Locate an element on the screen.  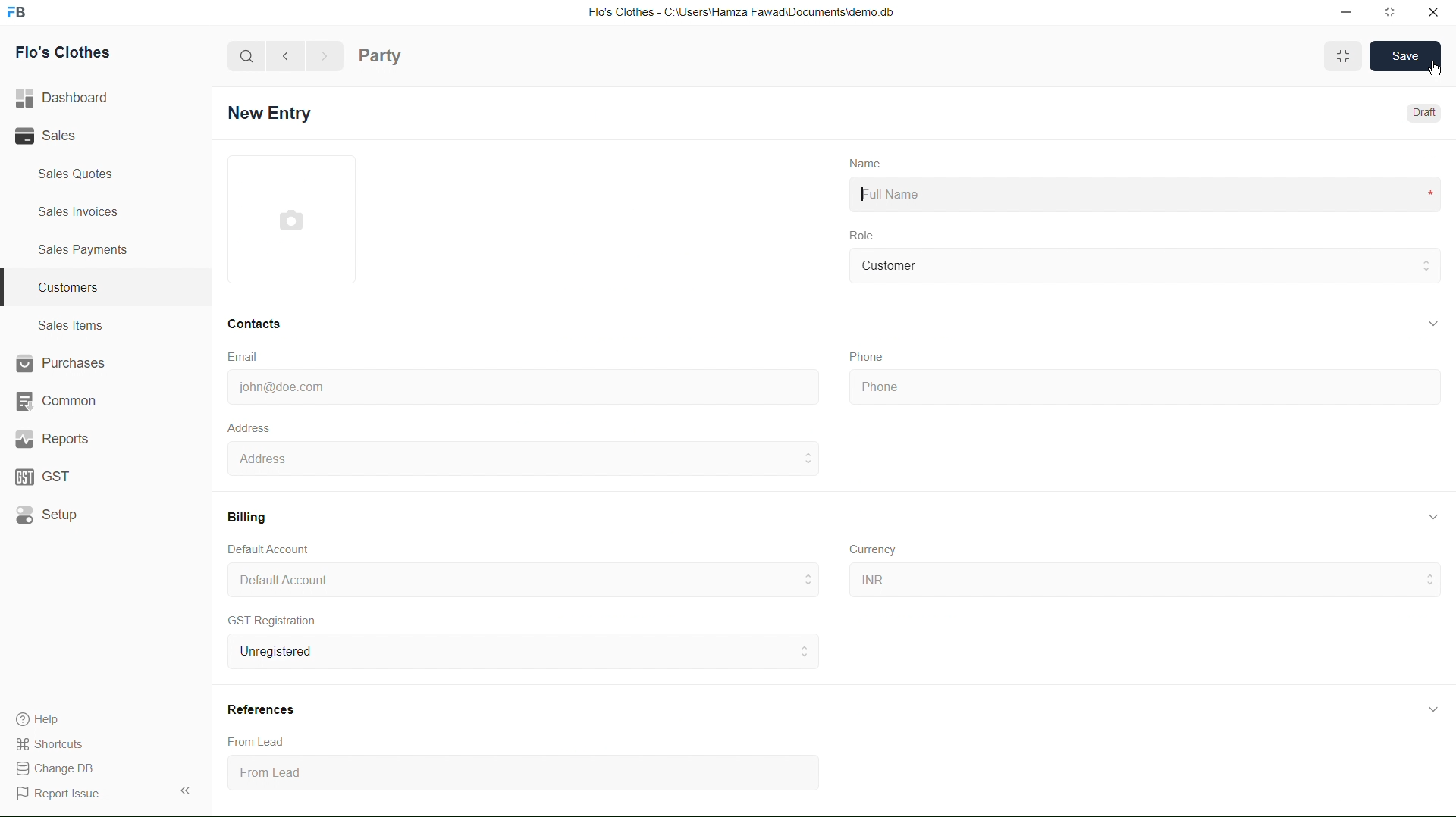
search is located at coordinates (243, 55).